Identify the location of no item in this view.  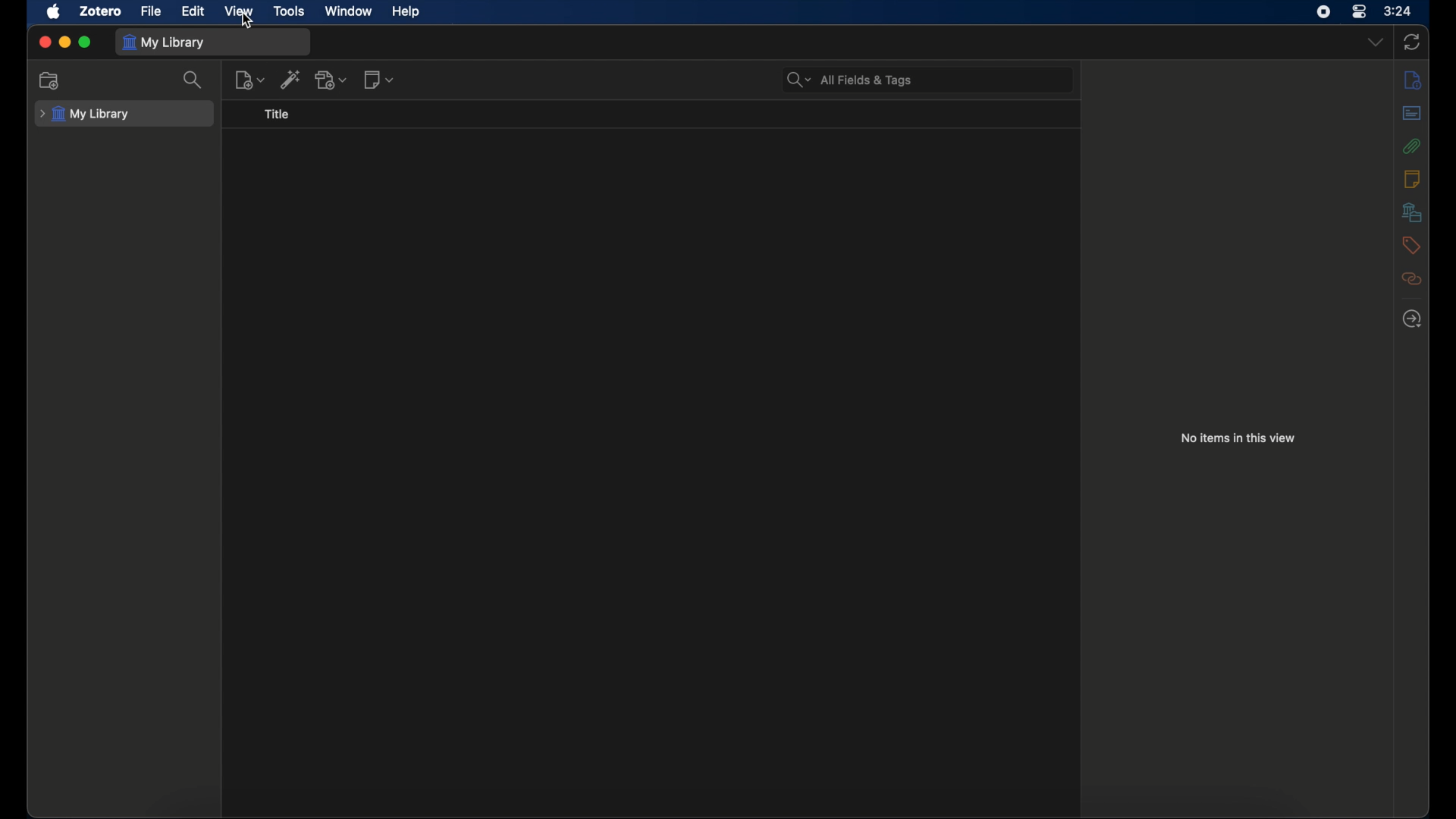
(1238, 438).